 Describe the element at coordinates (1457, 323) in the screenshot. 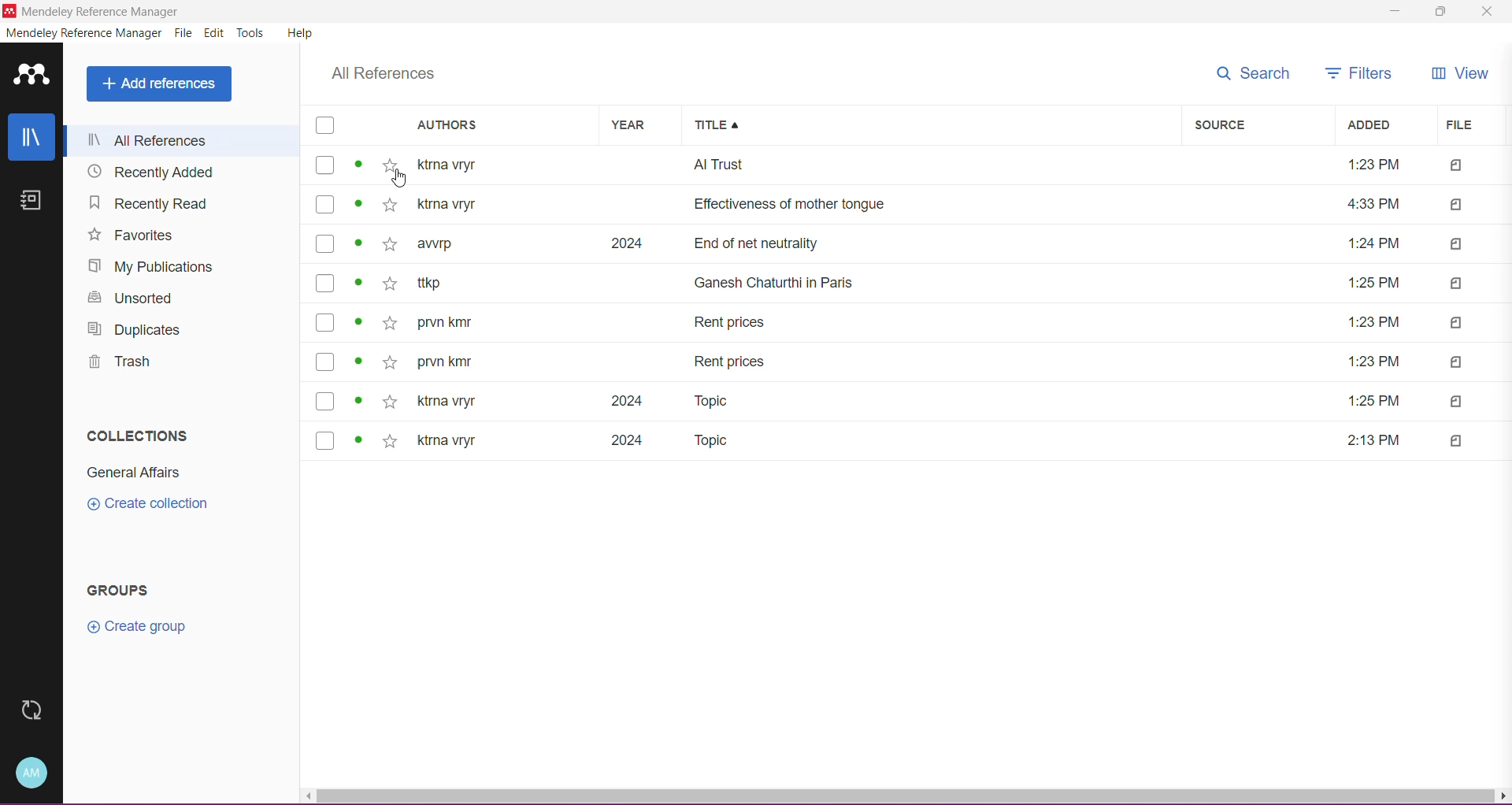

I see `Indicates file type` at that location.